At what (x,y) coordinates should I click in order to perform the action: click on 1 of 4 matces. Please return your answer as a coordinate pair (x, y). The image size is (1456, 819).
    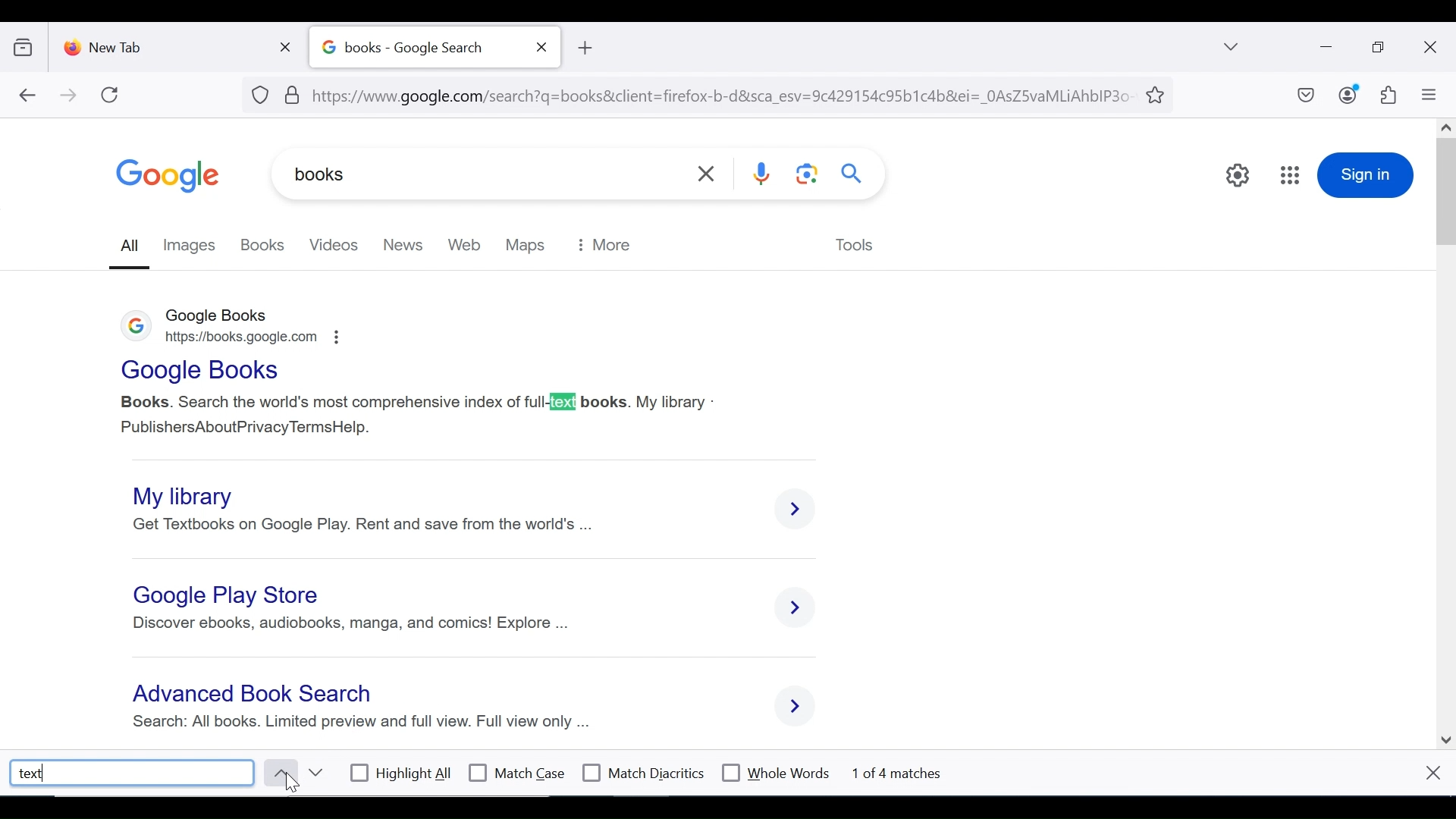
    Looking at the image, I should click on (899, 773).